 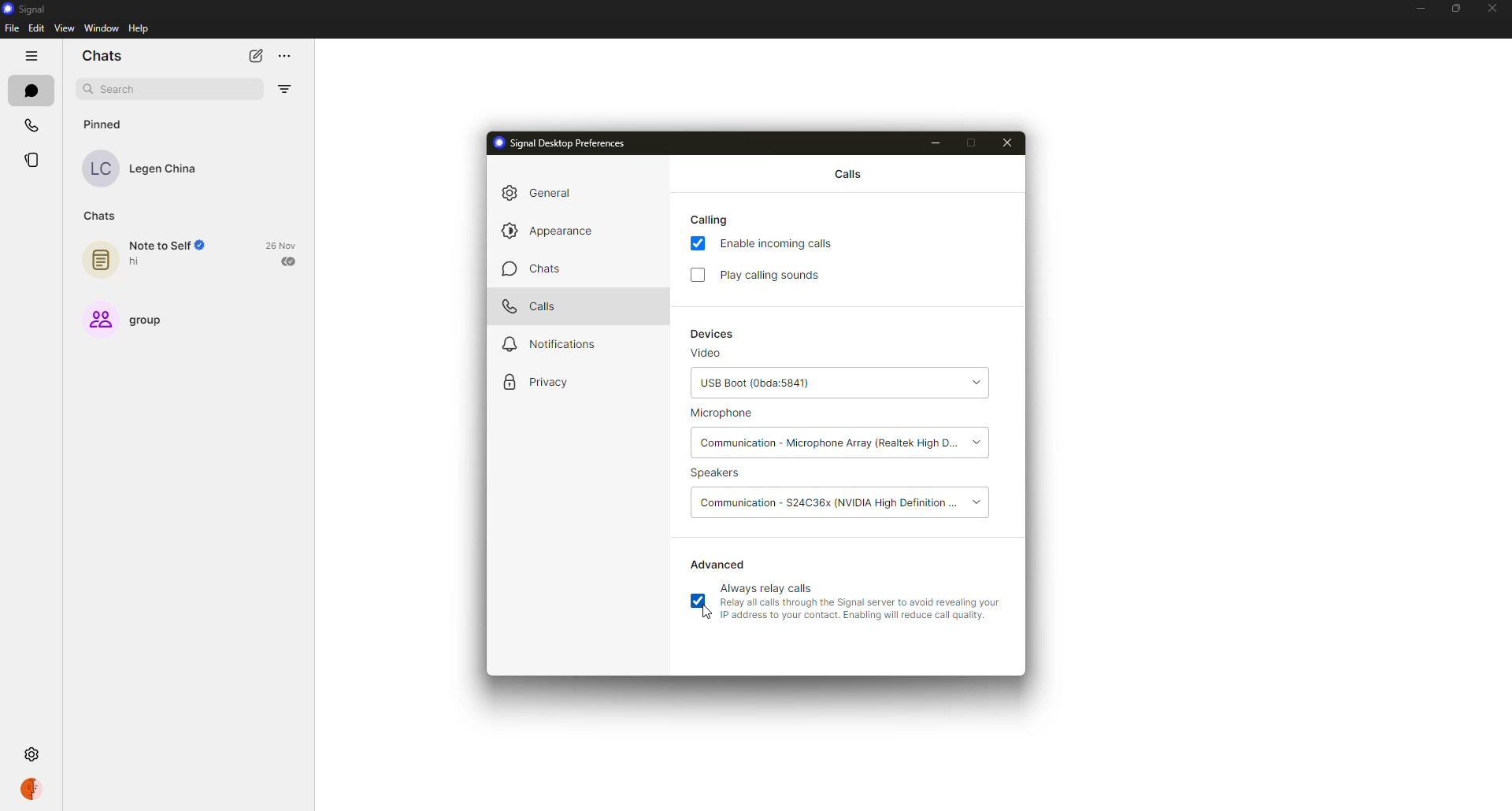 I want to click on file, so click(x=11, y=28).